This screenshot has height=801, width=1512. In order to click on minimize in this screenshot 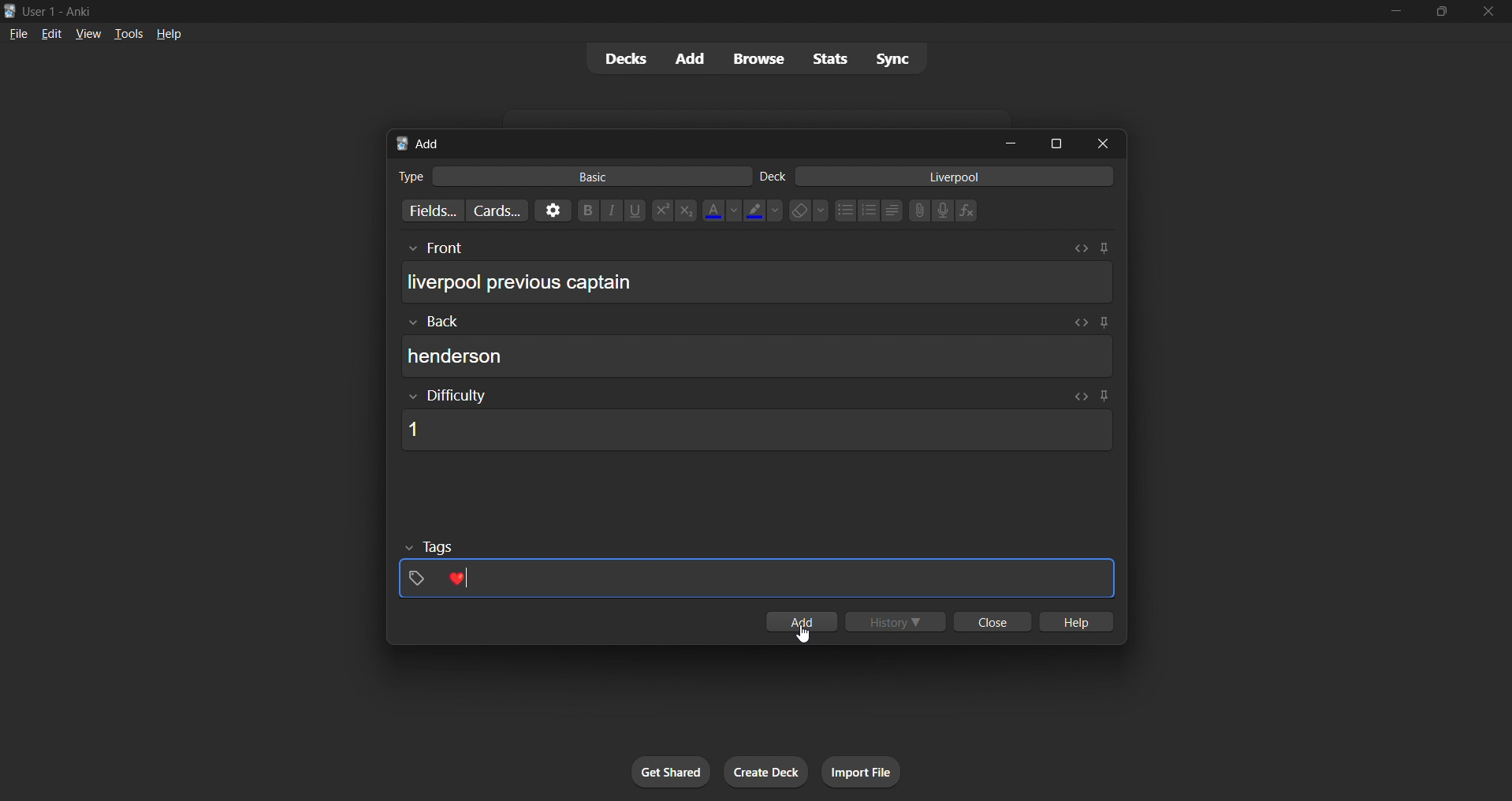, I will do `click(1014, 144)`.